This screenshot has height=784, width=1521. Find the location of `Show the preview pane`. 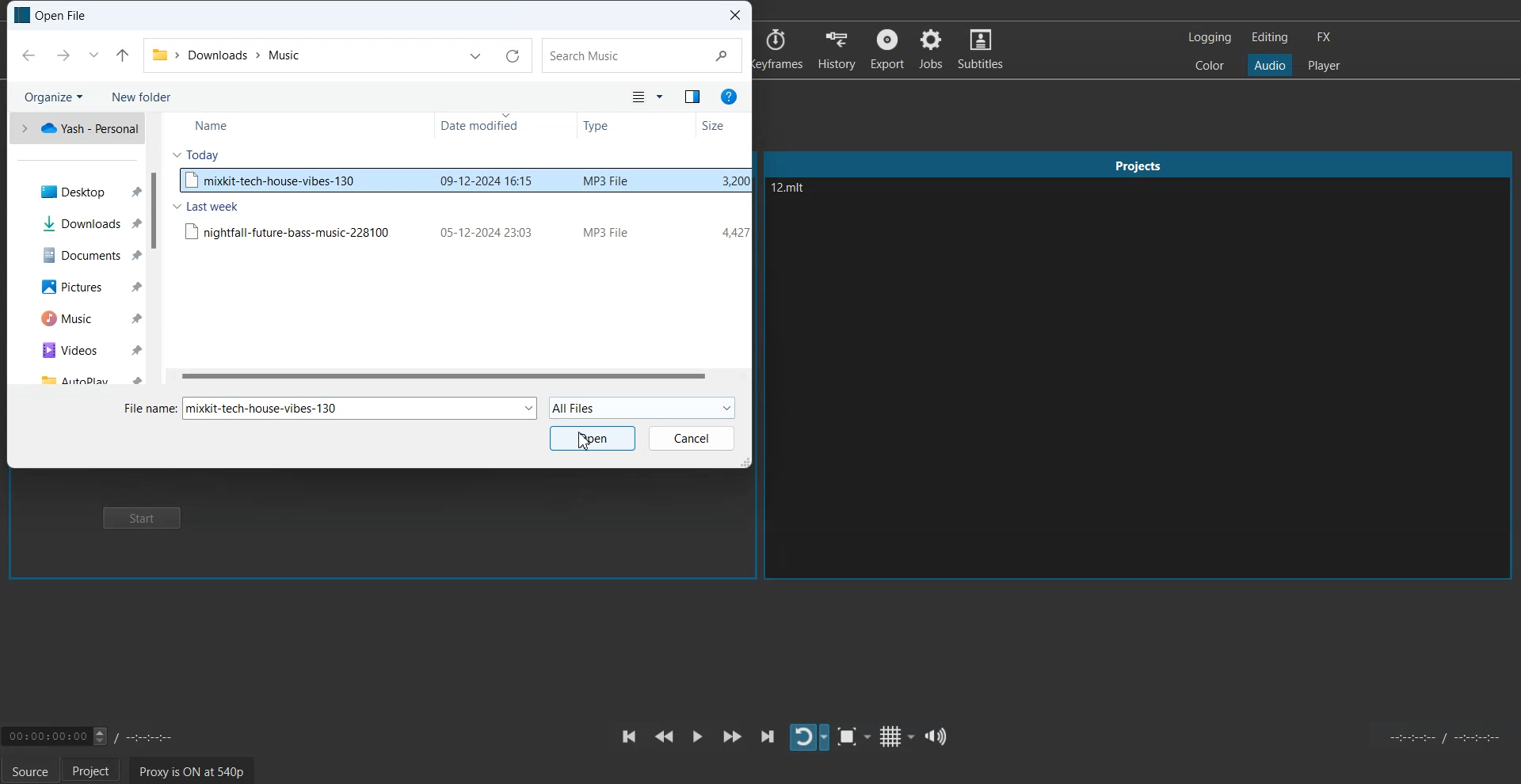

Show the preview pane is located at coordinates (692, 97).